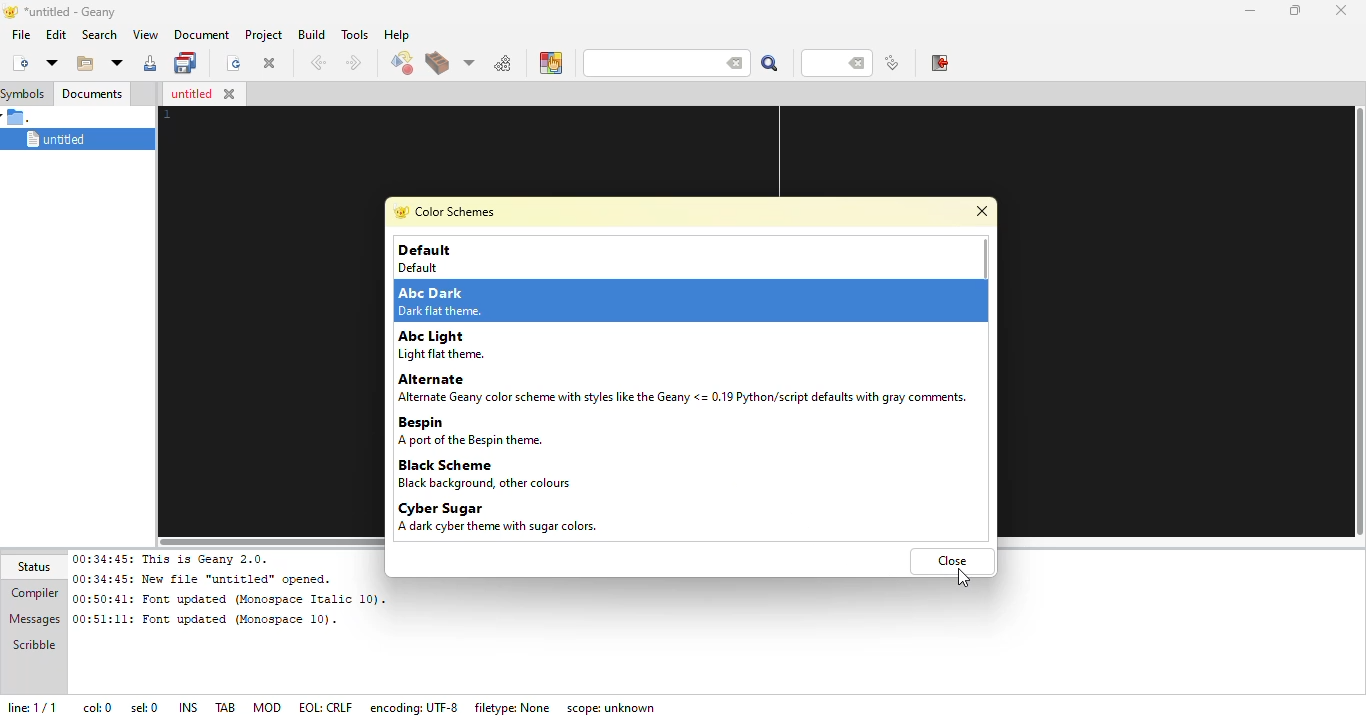 The width and height of the screenshot is (1366, 720). Describe the element at coordinates (1293, 9) in the screenshot. I see `maximize` at that location.